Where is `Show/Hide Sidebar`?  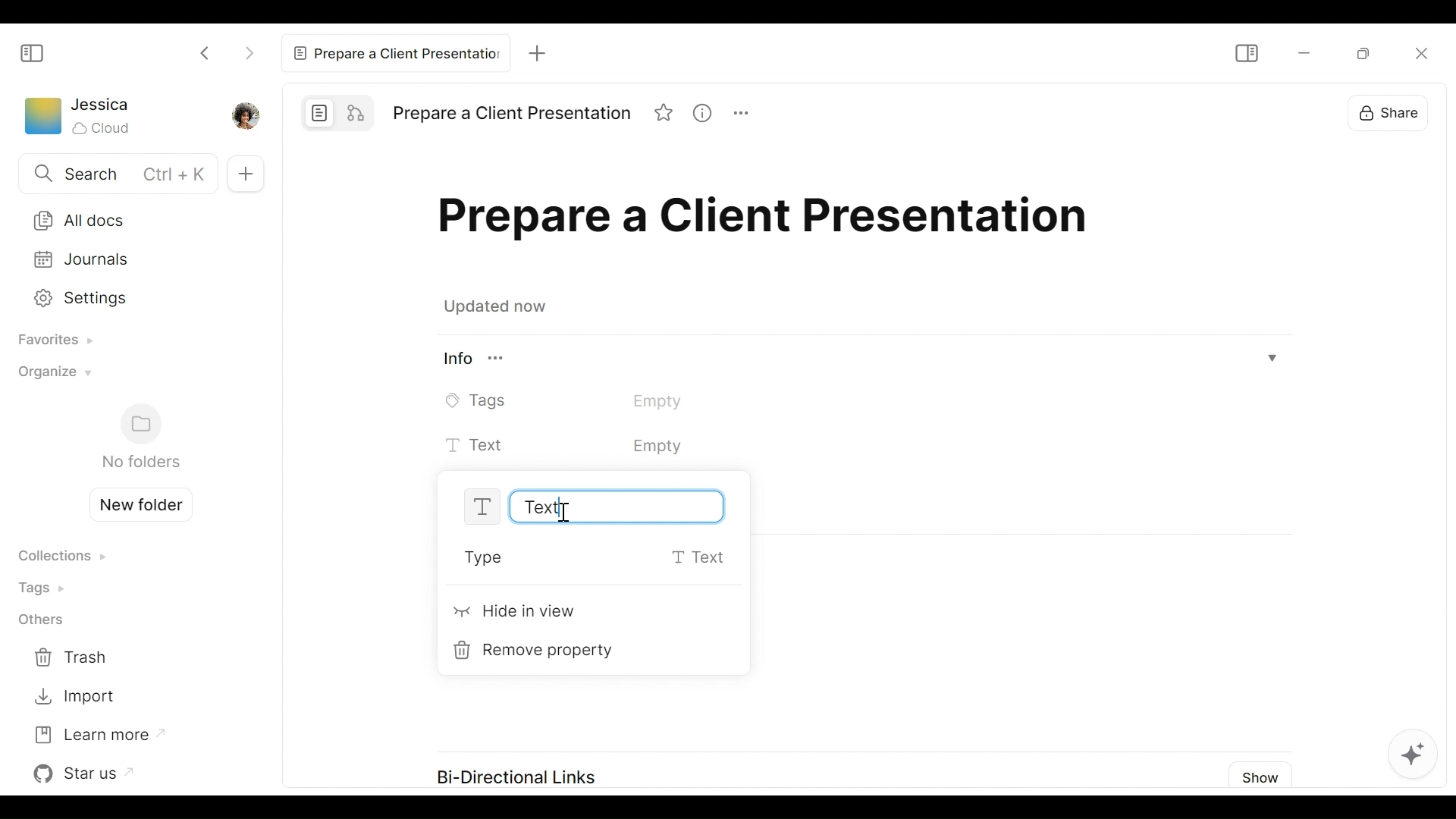
Show/Hide Sidebar is located at coordinates (1250, 51).